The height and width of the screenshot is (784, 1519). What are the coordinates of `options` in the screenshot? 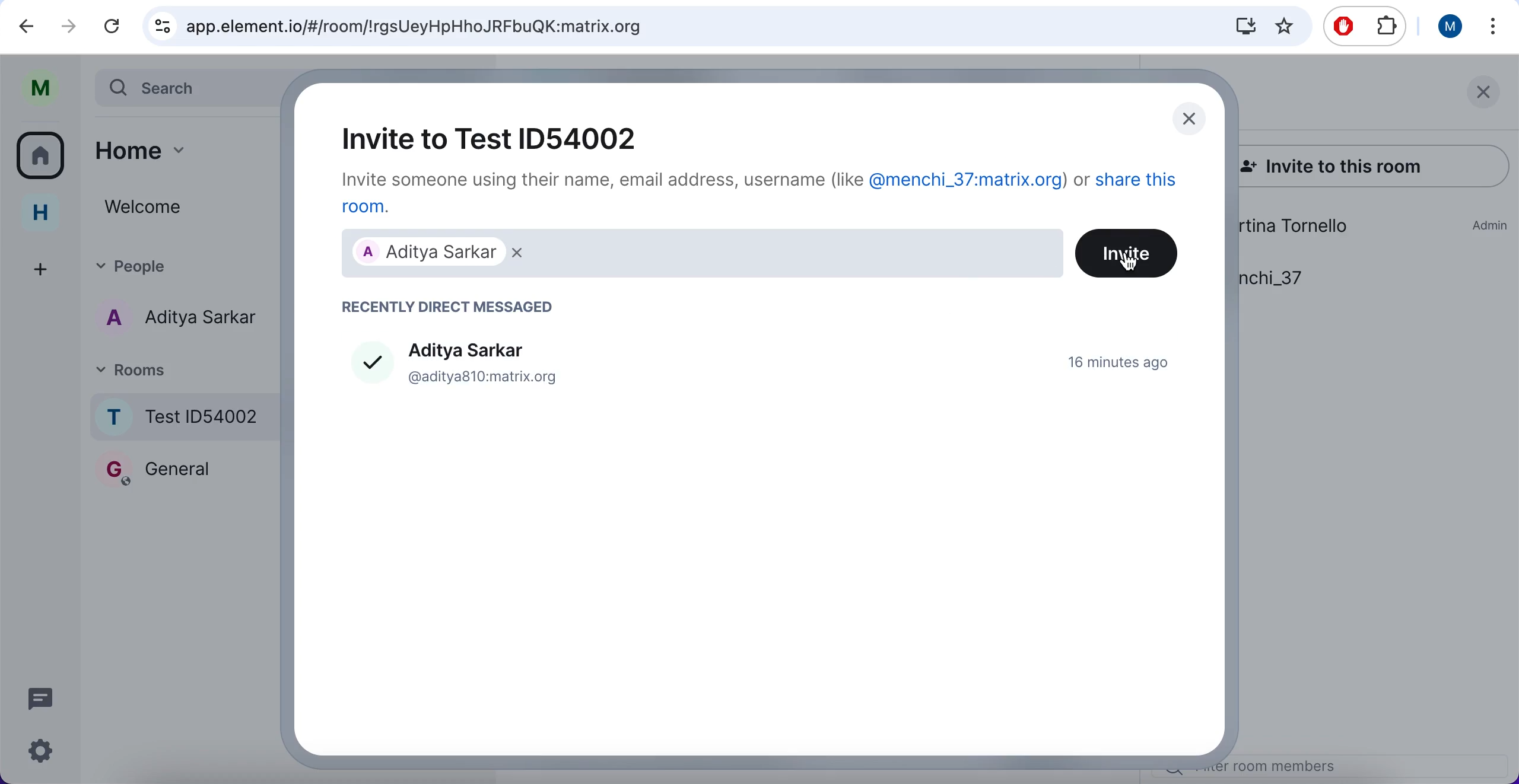 It's located at (1492, 26).